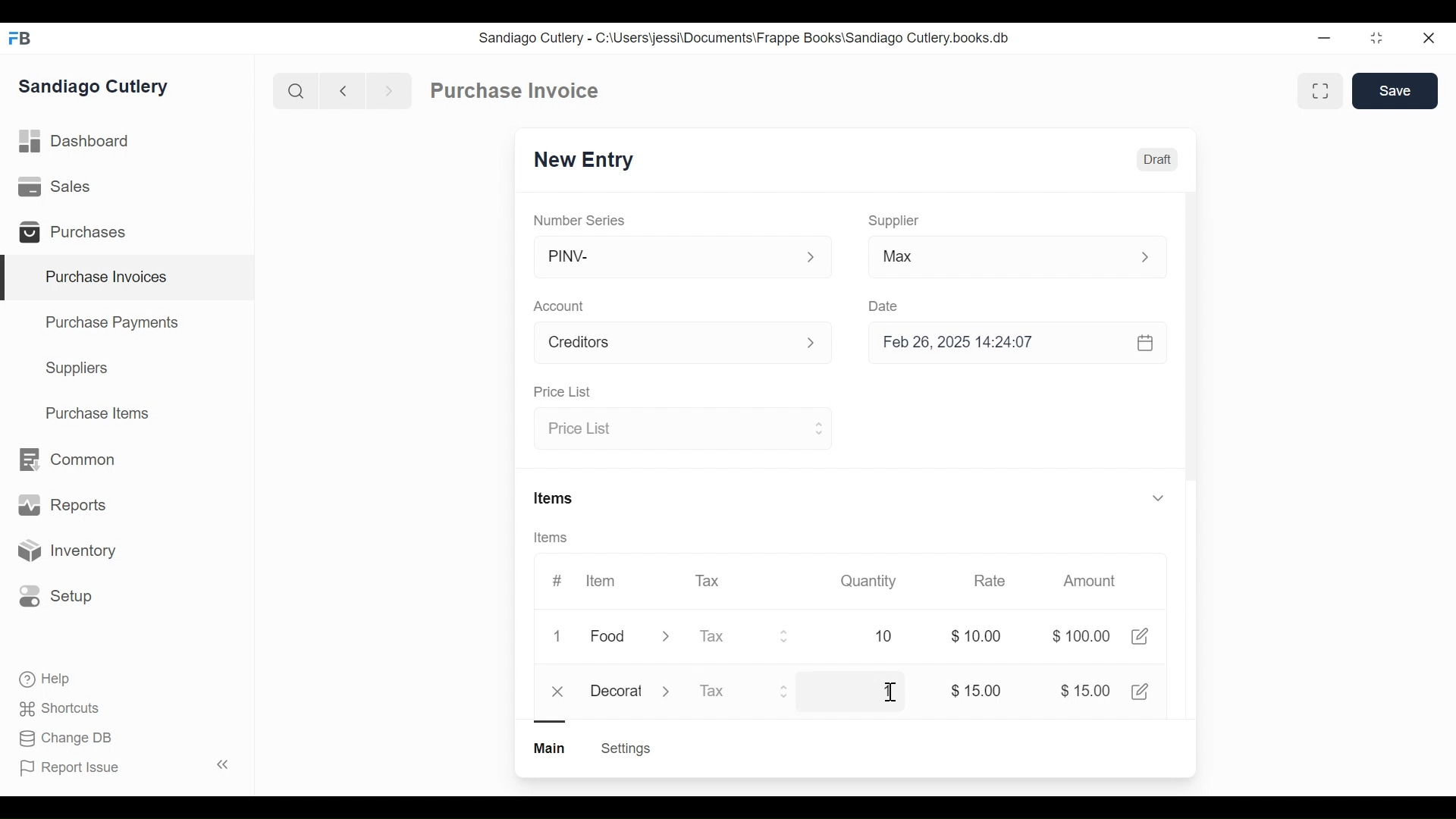  I want to click on Tax, so click(710, 579).